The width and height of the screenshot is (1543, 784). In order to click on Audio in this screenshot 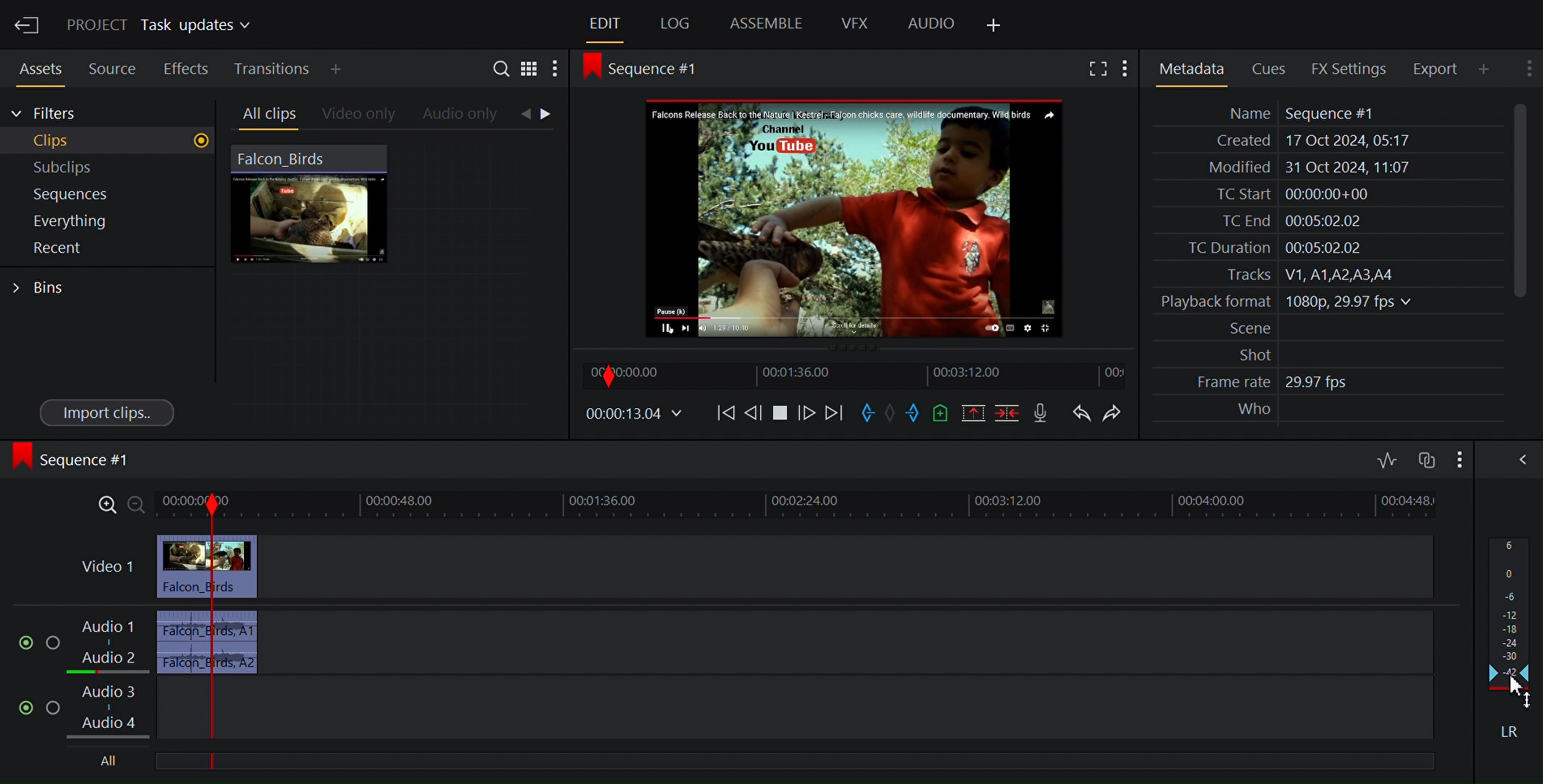, I will do `click(930, 25)`.